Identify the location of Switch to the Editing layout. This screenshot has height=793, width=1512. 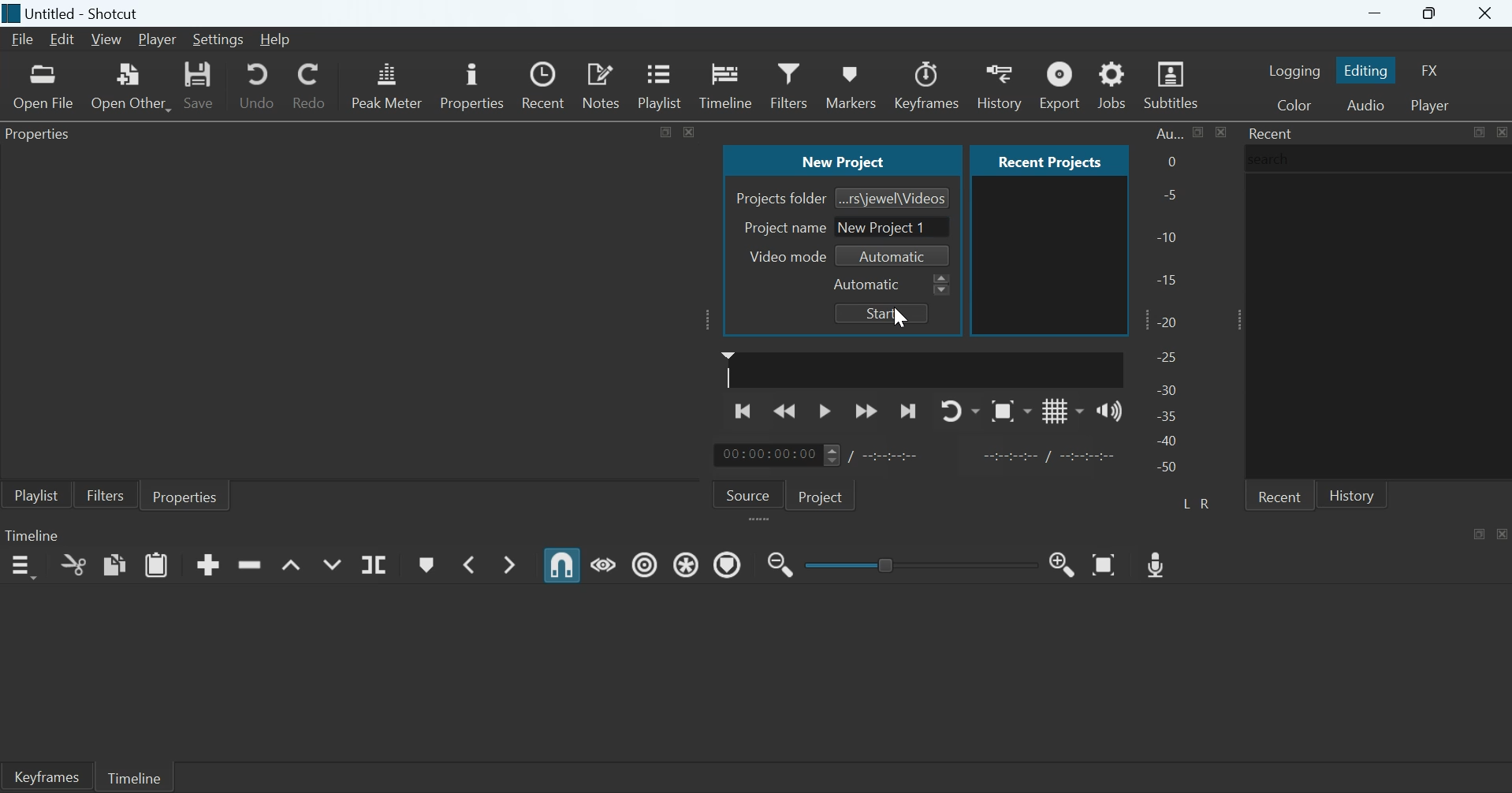
(1368, 70).